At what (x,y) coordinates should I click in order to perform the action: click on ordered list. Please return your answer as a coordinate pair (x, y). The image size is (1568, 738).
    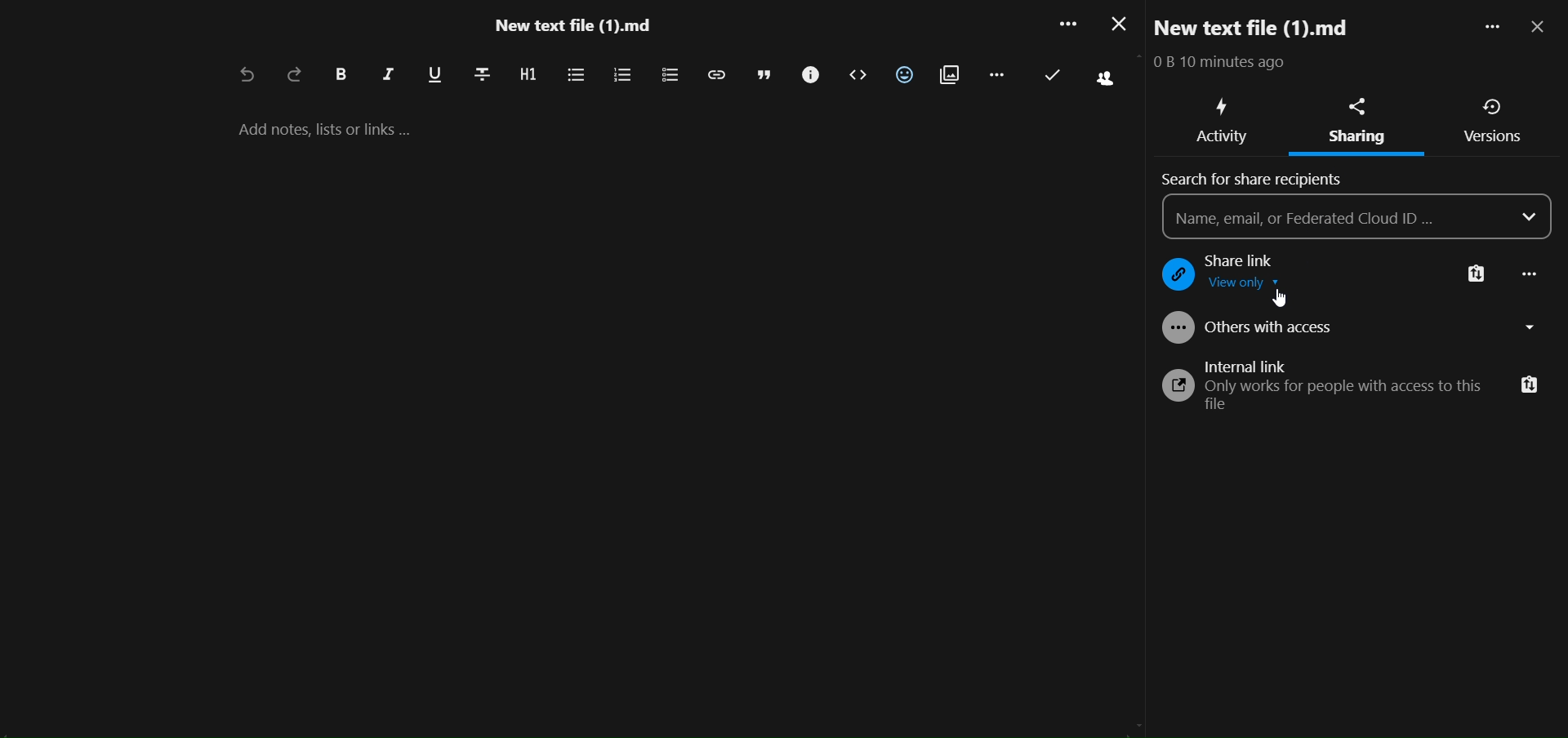
    Looking at the image, I should click on (621, 76).